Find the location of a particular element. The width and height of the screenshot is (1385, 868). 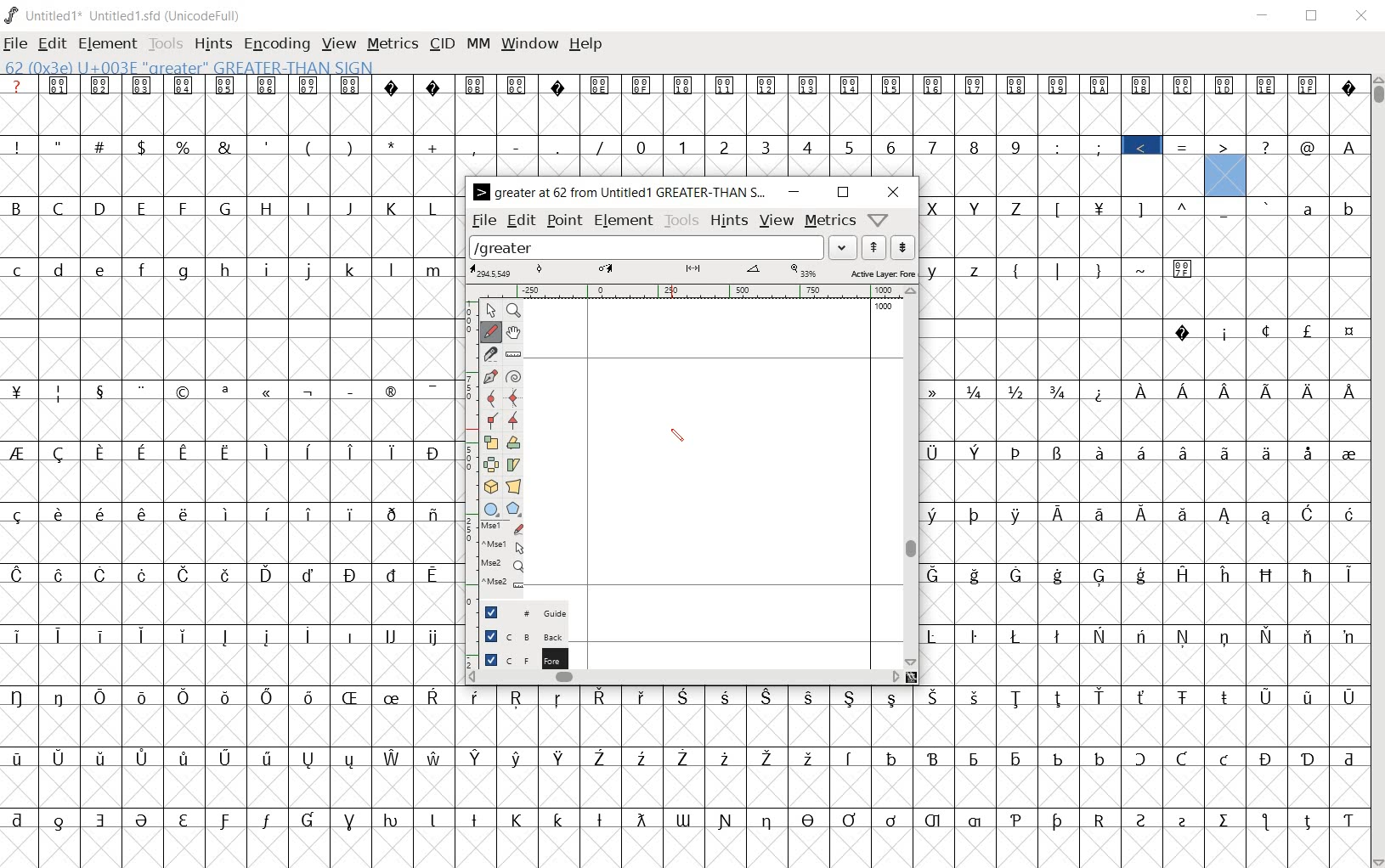

point is located at coordinates (565, 221).